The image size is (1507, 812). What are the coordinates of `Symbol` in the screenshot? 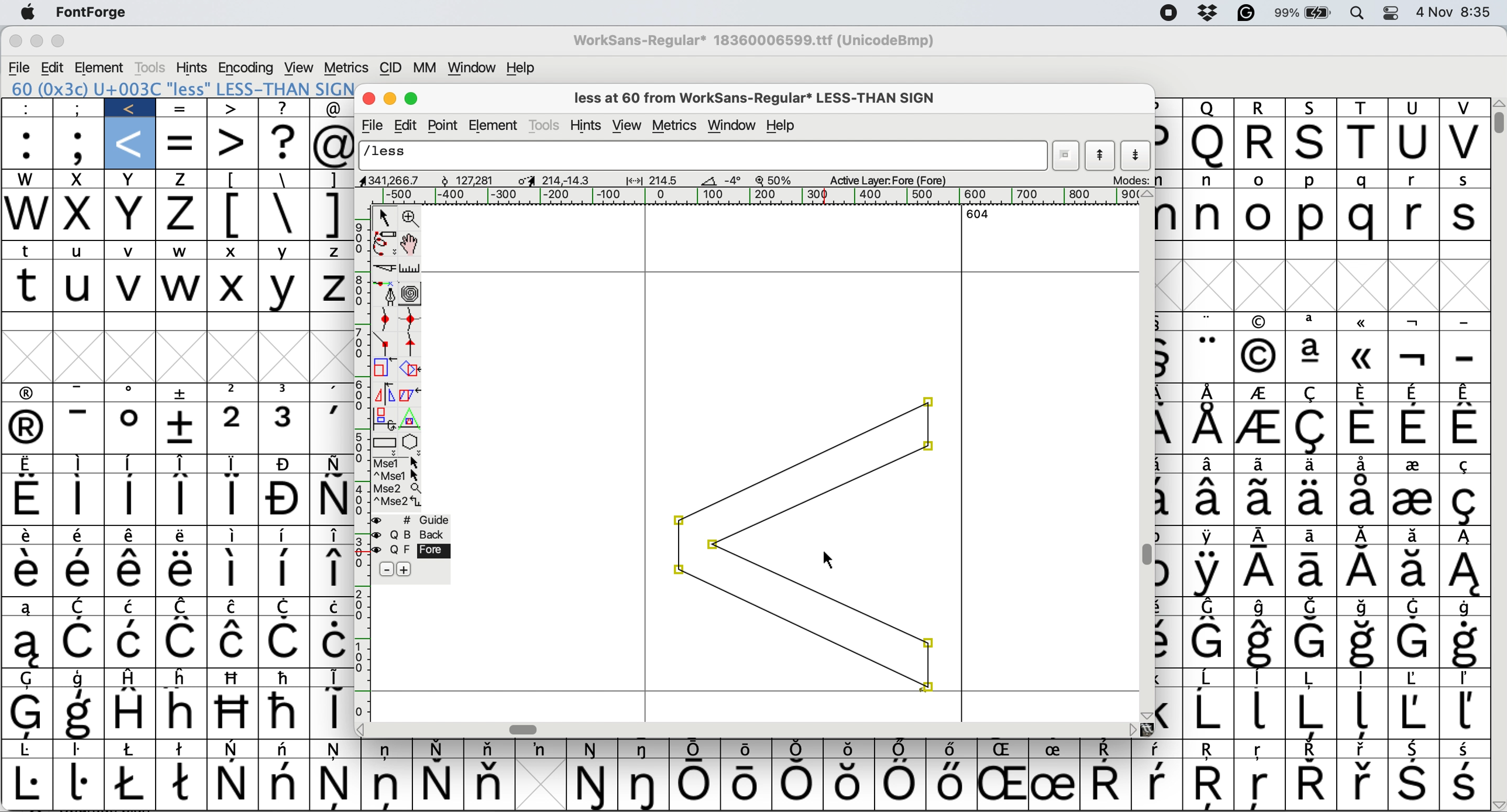 It's located at (699, 748).